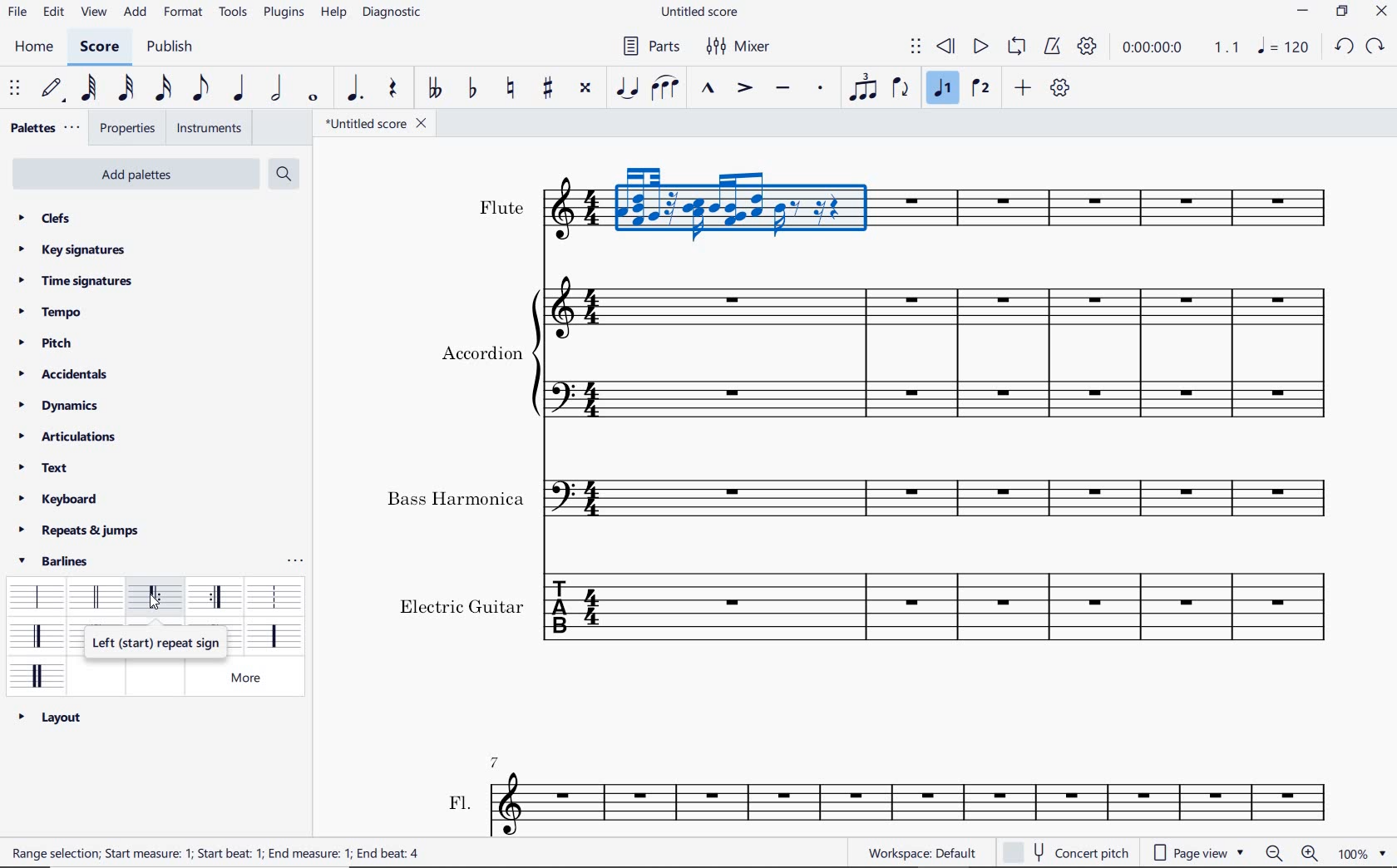 This screenshot has width=1397, height=868. I want to click on format, so click(183, 15).